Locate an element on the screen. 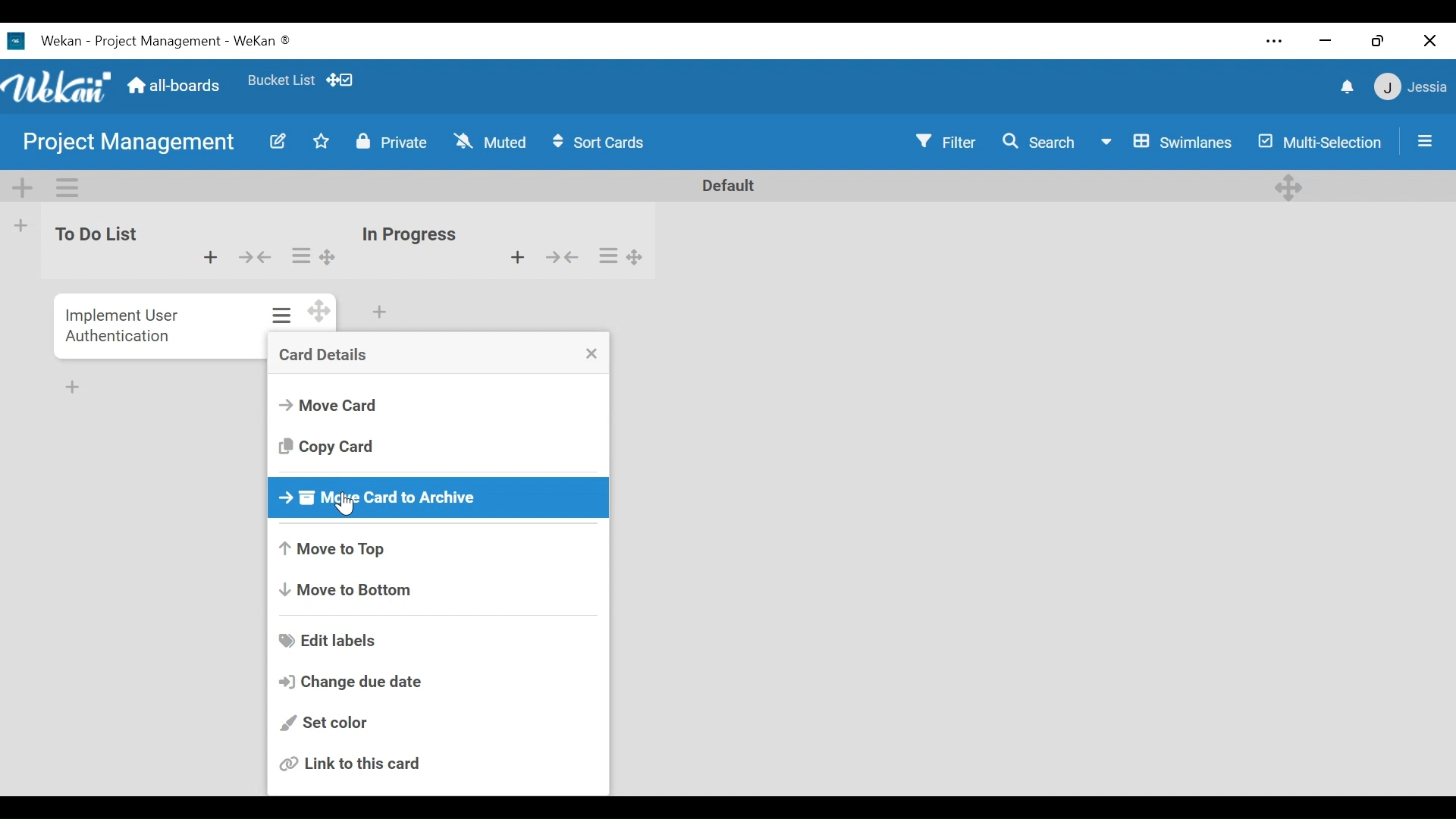  Edit Labels is located at coordinates (329, 641).